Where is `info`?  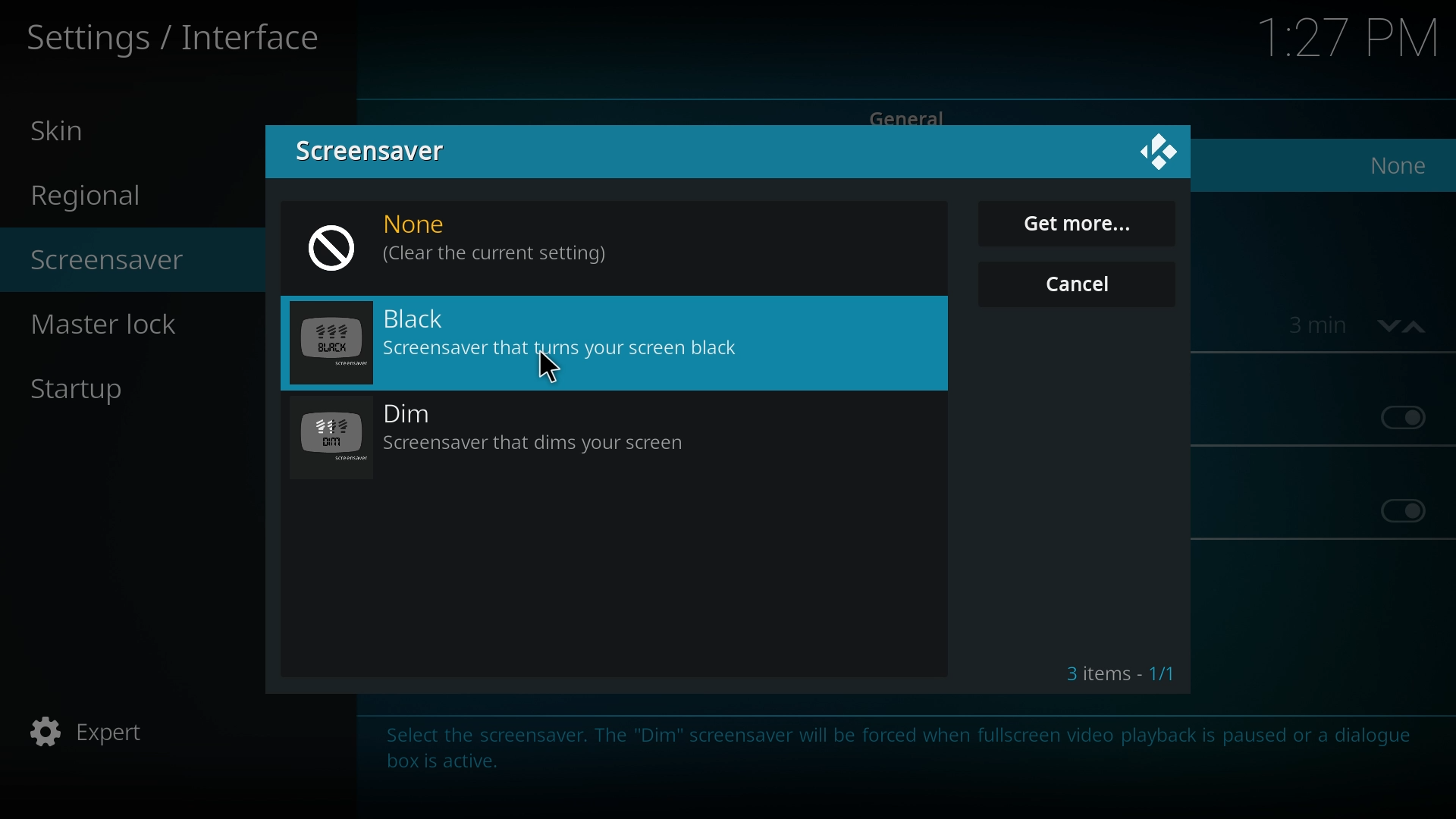
info is located at coordinates (891, 748).